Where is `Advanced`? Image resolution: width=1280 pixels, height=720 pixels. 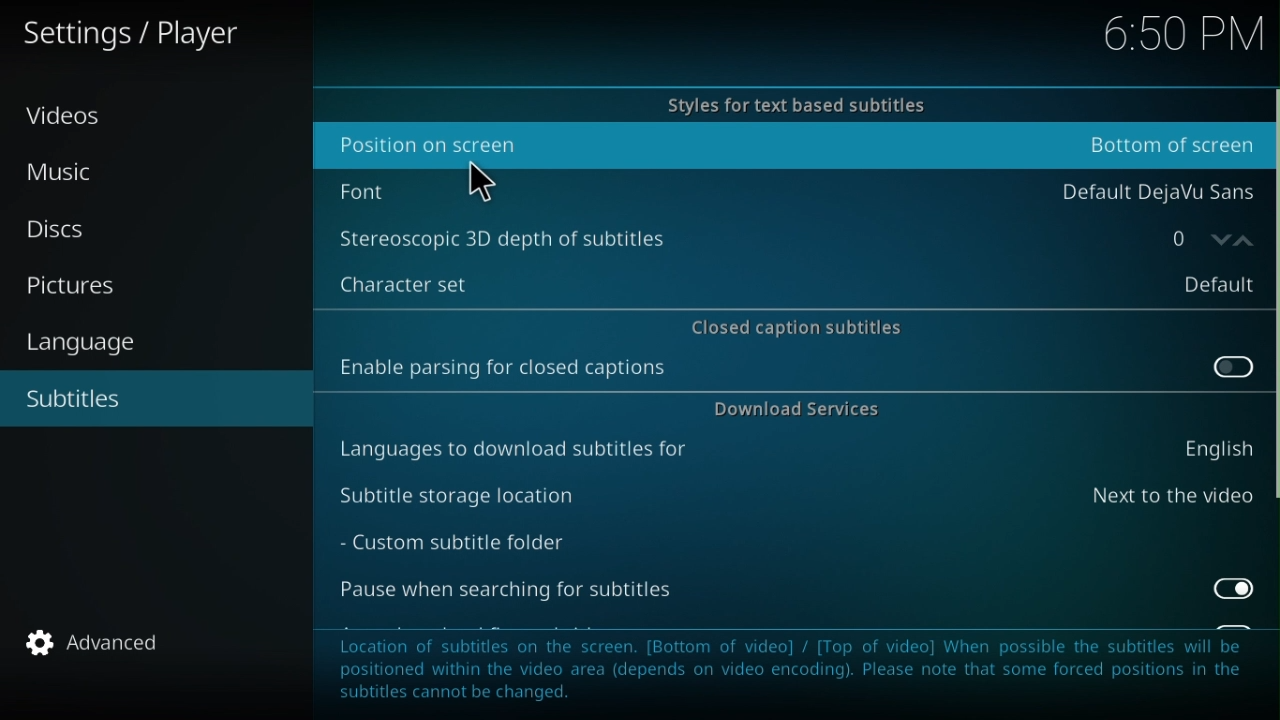
Advanced is located at coordinates (91, 642).